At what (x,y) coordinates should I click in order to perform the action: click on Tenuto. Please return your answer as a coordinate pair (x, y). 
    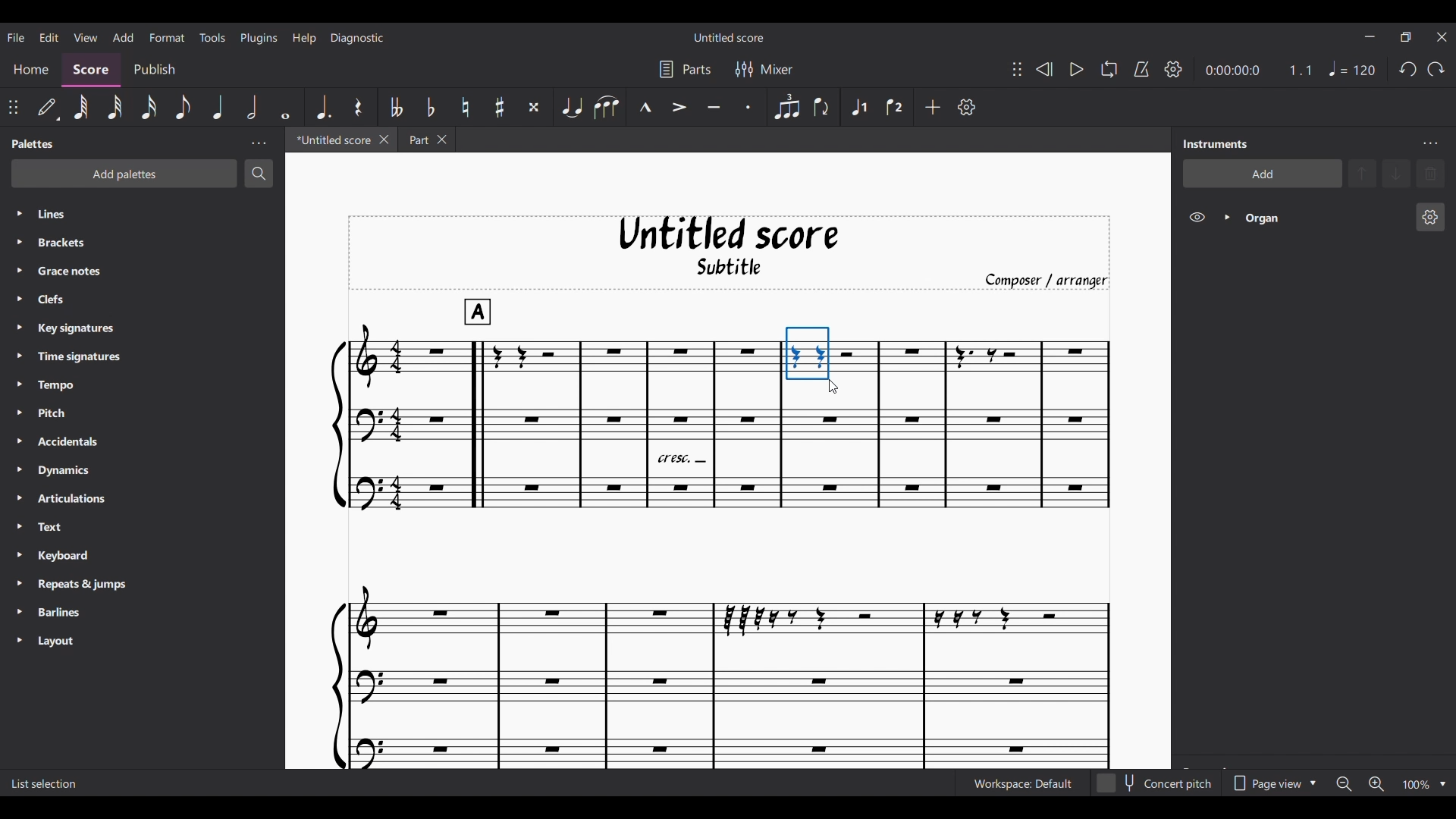
    Looking at the image, I should click on (714, 108).